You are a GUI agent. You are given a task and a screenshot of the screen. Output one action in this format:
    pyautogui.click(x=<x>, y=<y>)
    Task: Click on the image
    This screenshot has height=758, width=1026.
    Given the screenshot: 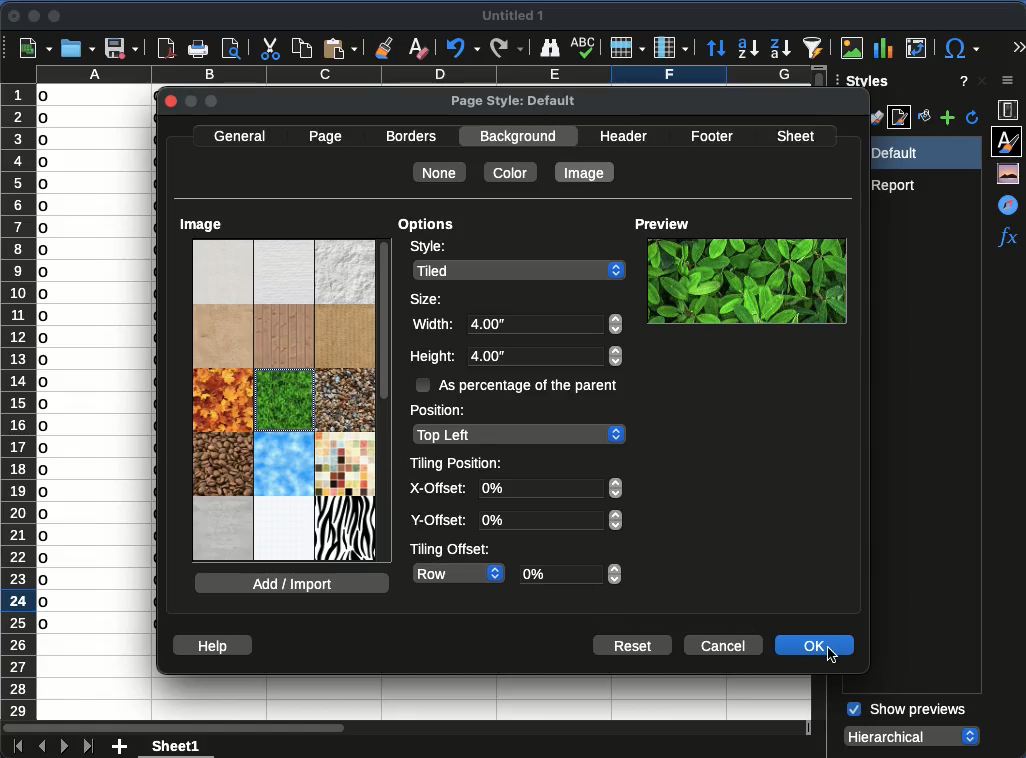 What is the action you would take?
    pyautogui.click(x=585, y=173)
    